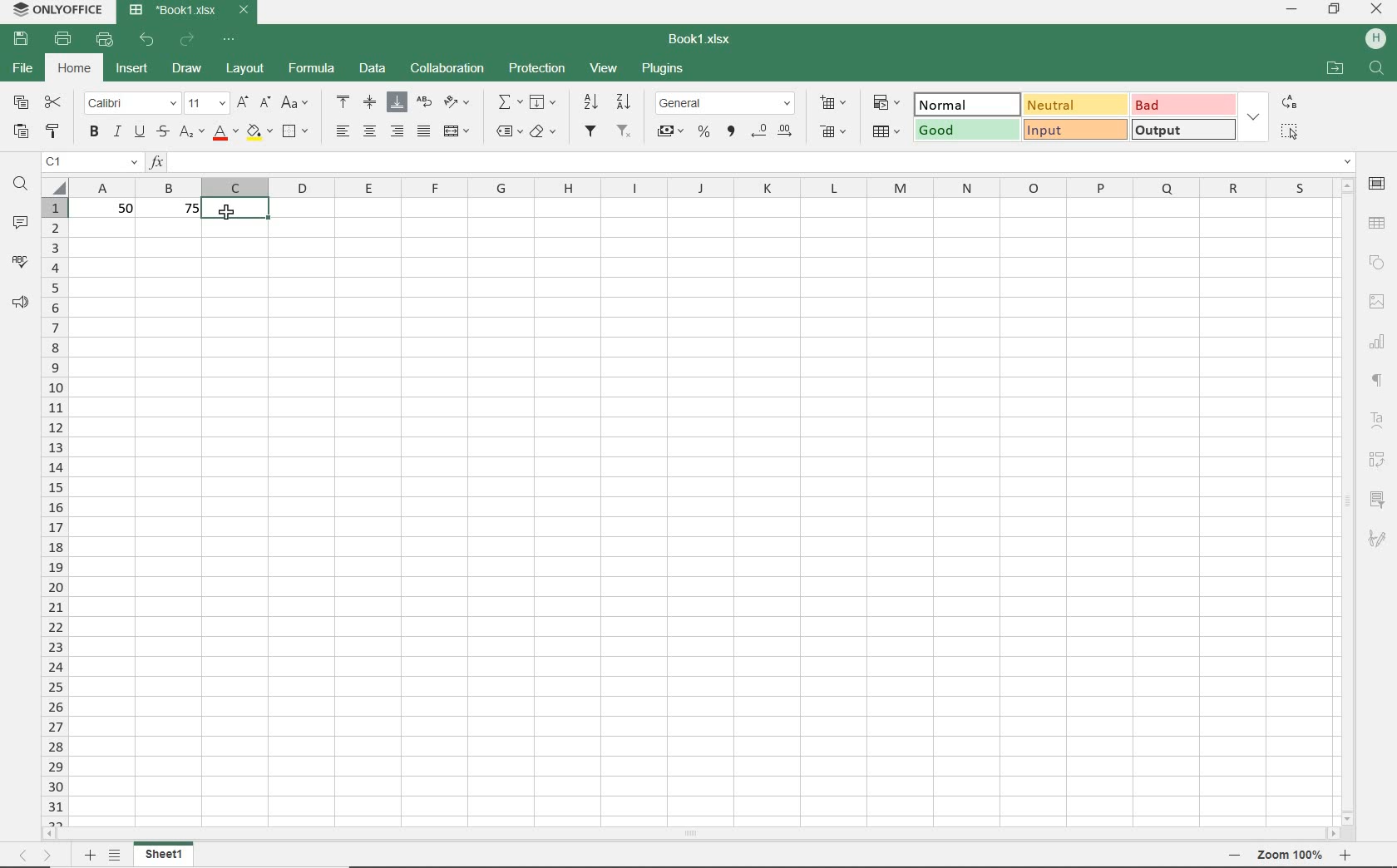 Image resolution: width=1397 pixels, height=868 pixels. I want to click on file name, so click(190, 12).